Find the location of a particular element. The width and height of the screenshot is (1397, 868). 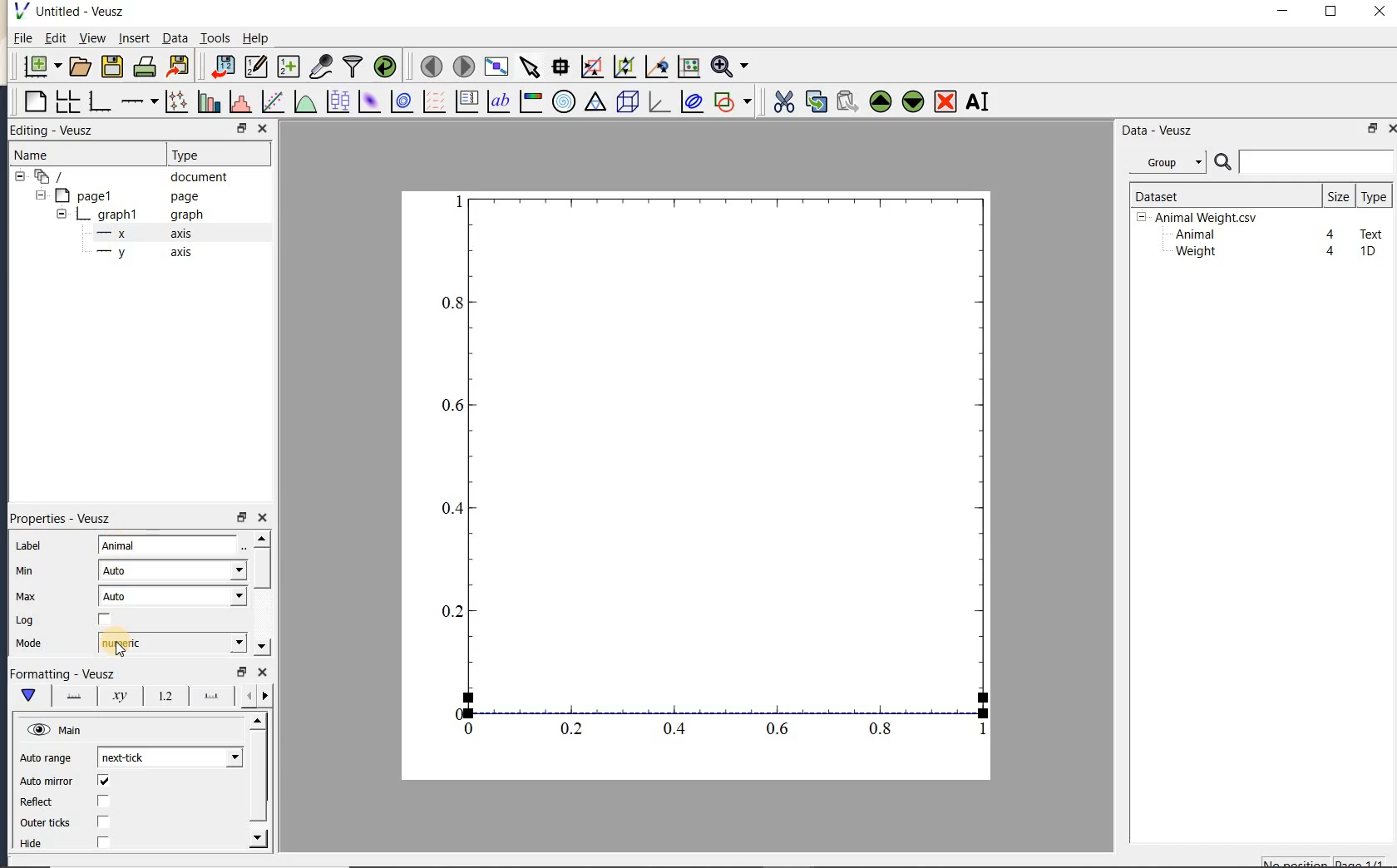

document is located at coordinates (126, 177).